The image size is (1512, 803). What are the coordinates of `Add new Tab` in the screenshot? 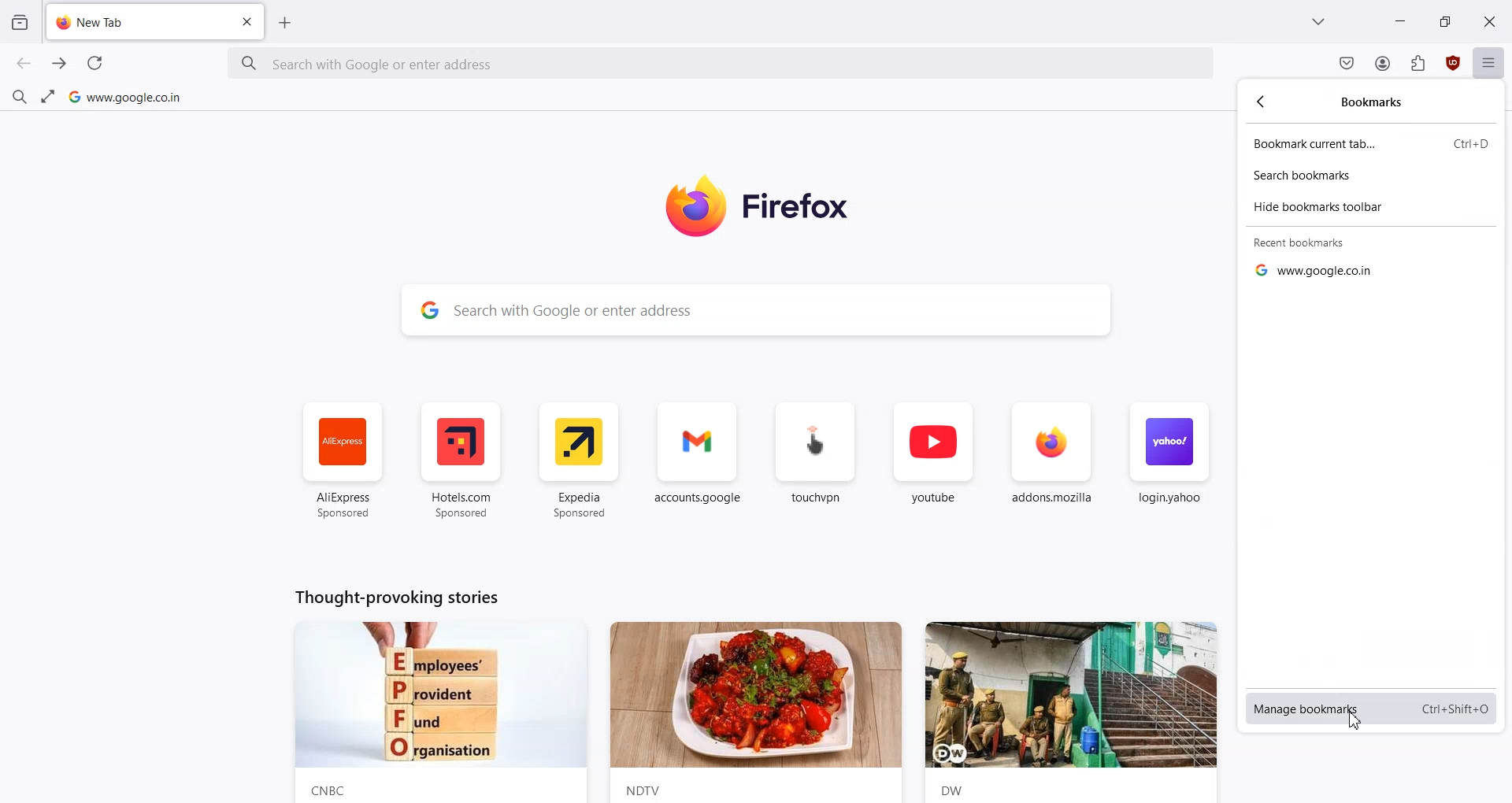 It's located at (286, 22).